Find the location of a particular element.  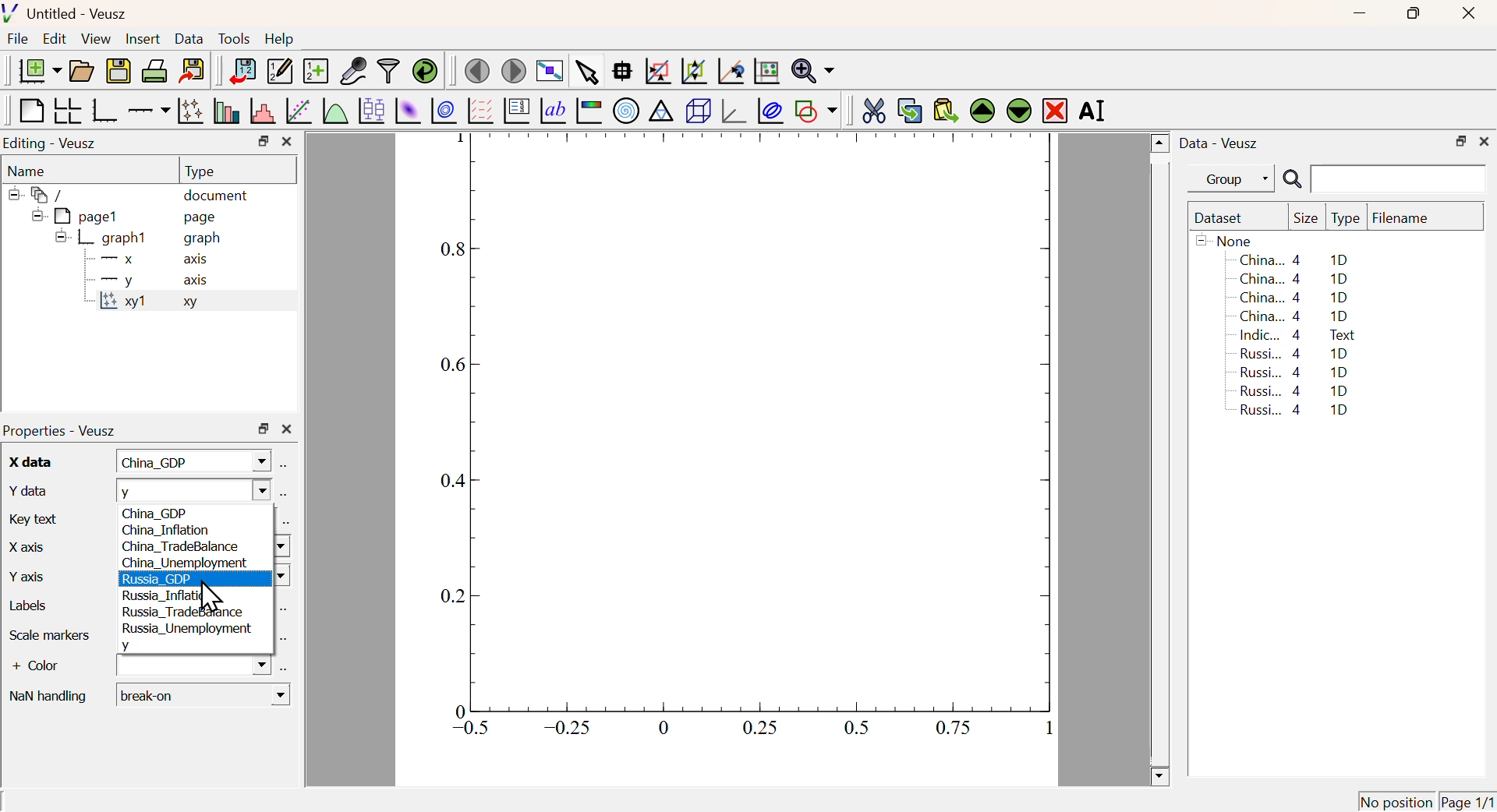

Click to reset graph axes is located at coordinates (728, 72).